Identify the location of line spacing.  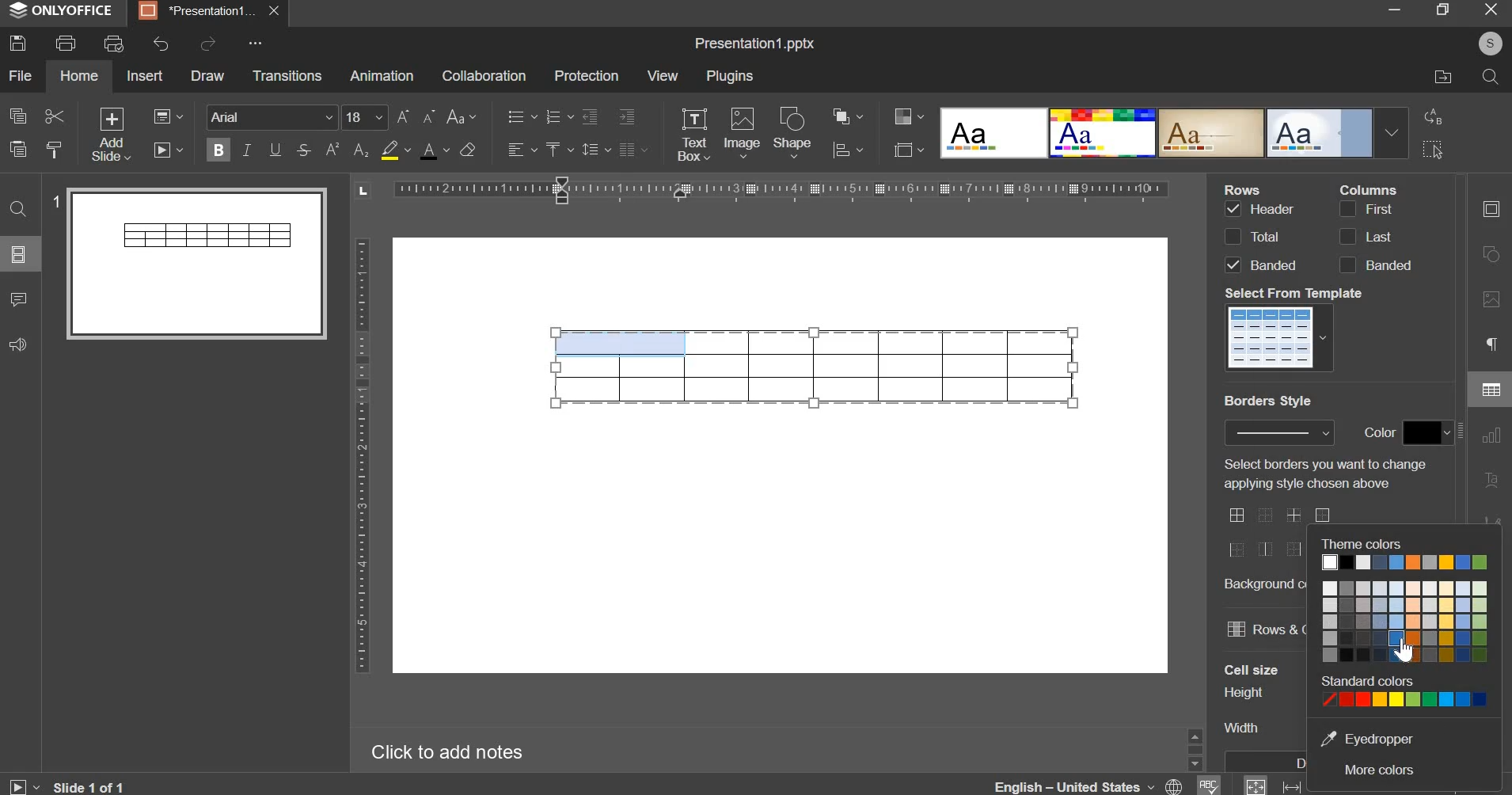
(595, 150).